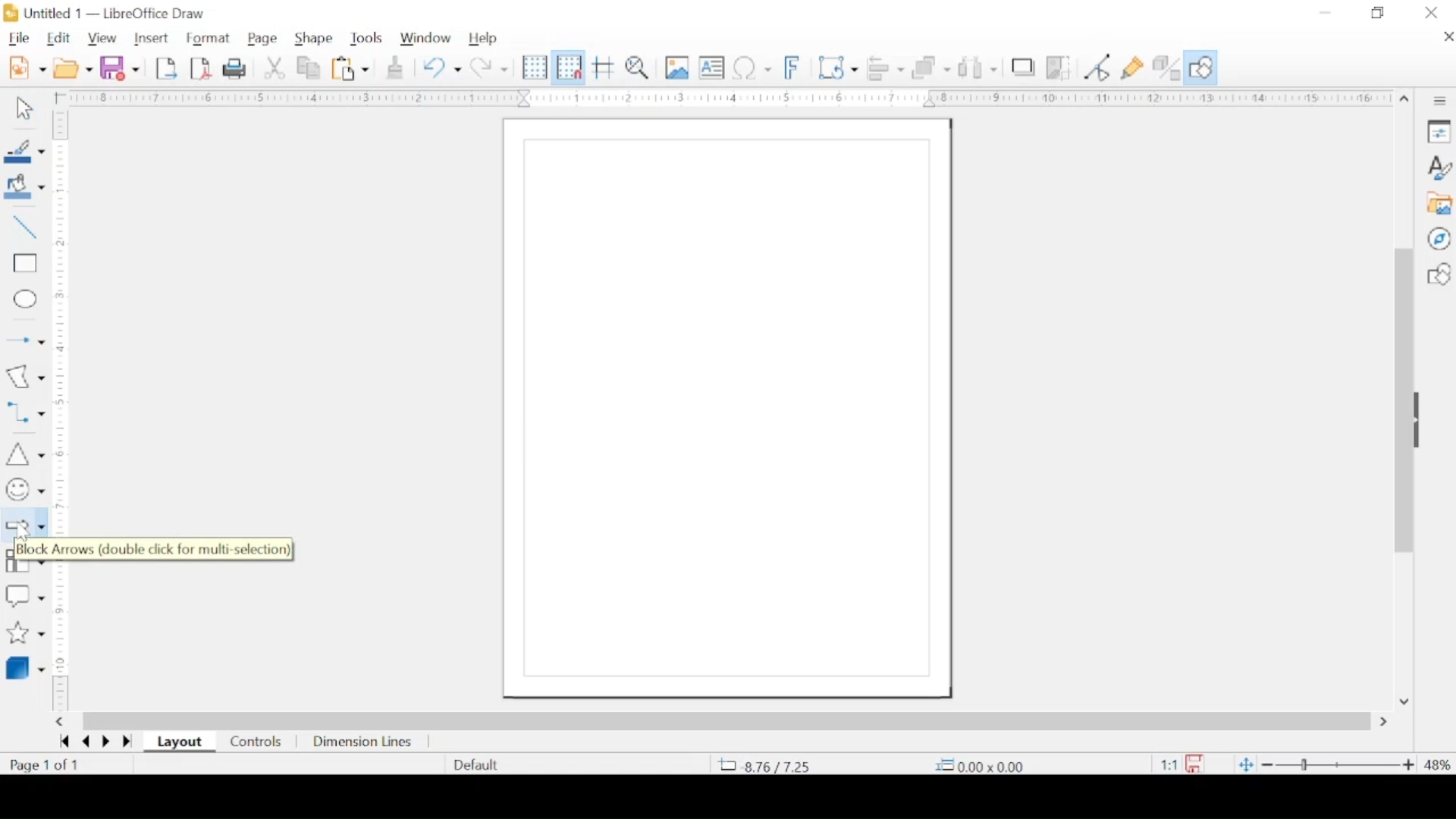 The width and height of the screenshot is (1456, 819). Describe the element at coordinates (1023, 65) in the screenshot. I see `shadow` at that location.